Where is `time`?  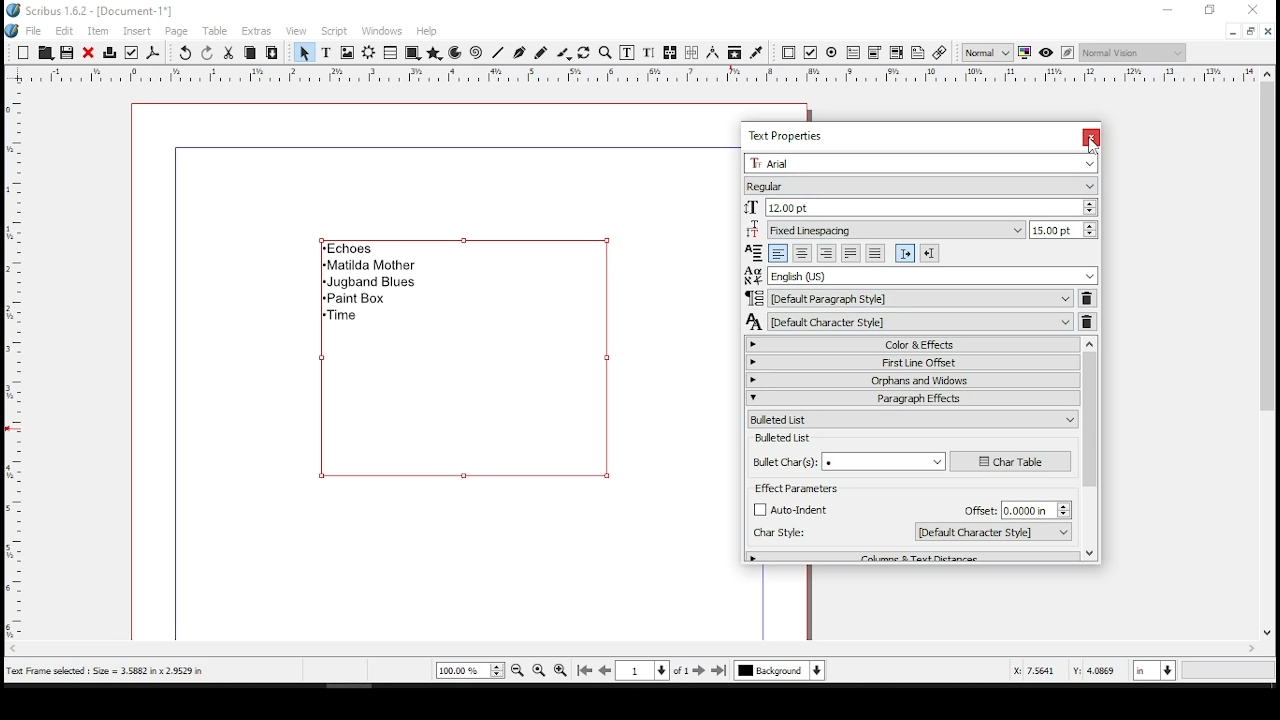
time is located at coordinates (343, 316).